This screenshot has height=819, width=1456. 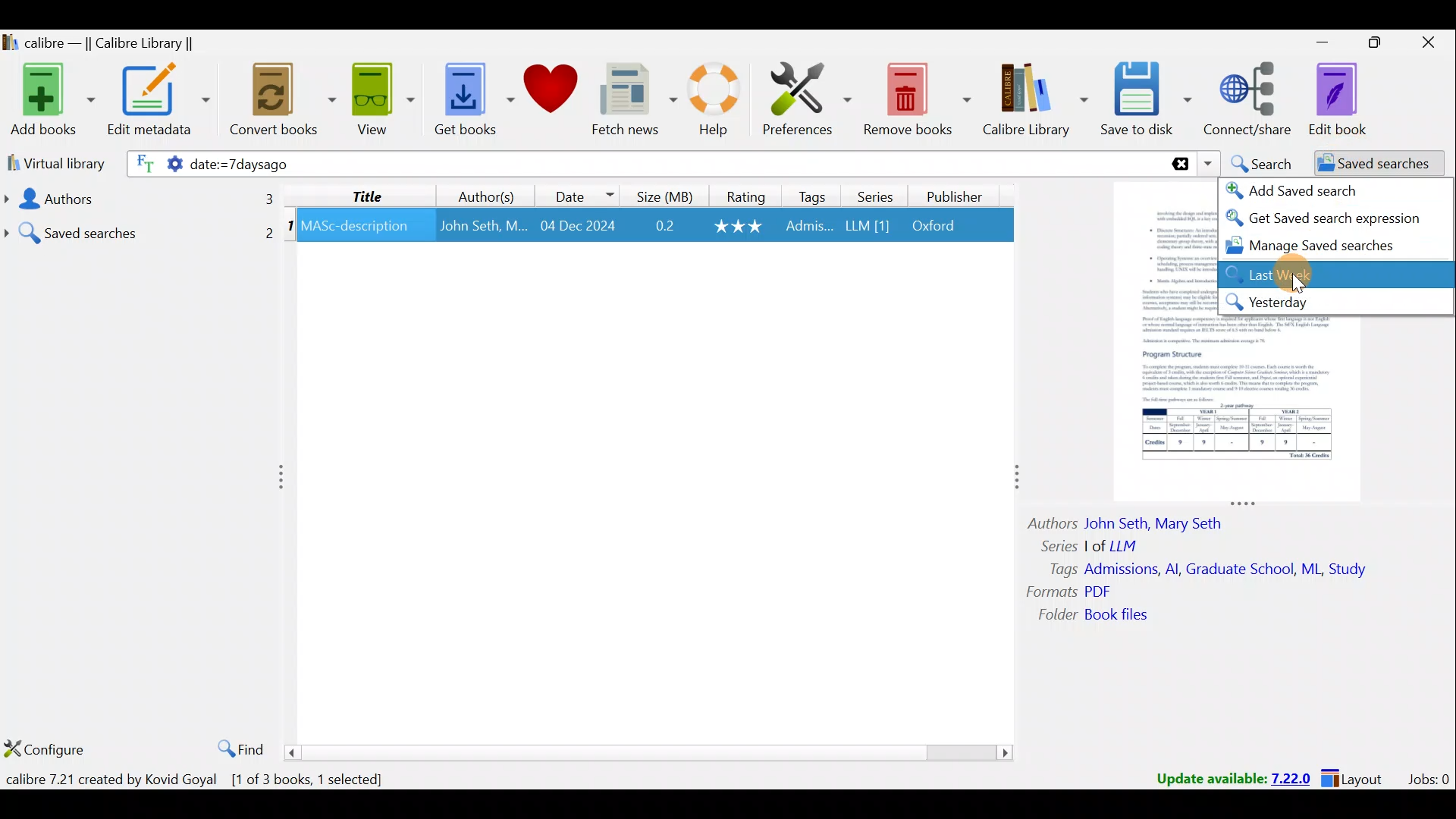 What do you see at coordinates (137, 199) in the screenshot?
I see `Authors` at bounding box center [137, 199].